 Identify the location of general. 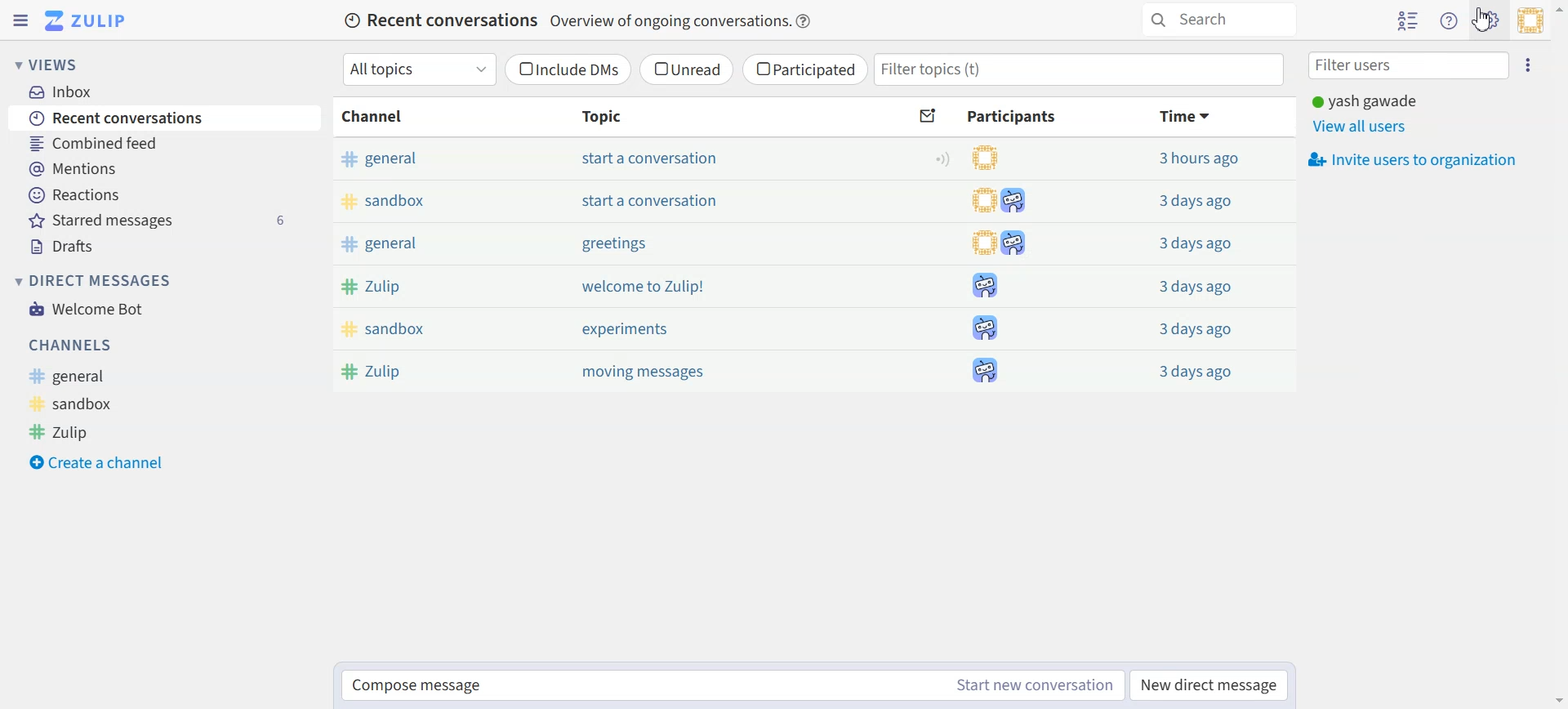
(384, 158).